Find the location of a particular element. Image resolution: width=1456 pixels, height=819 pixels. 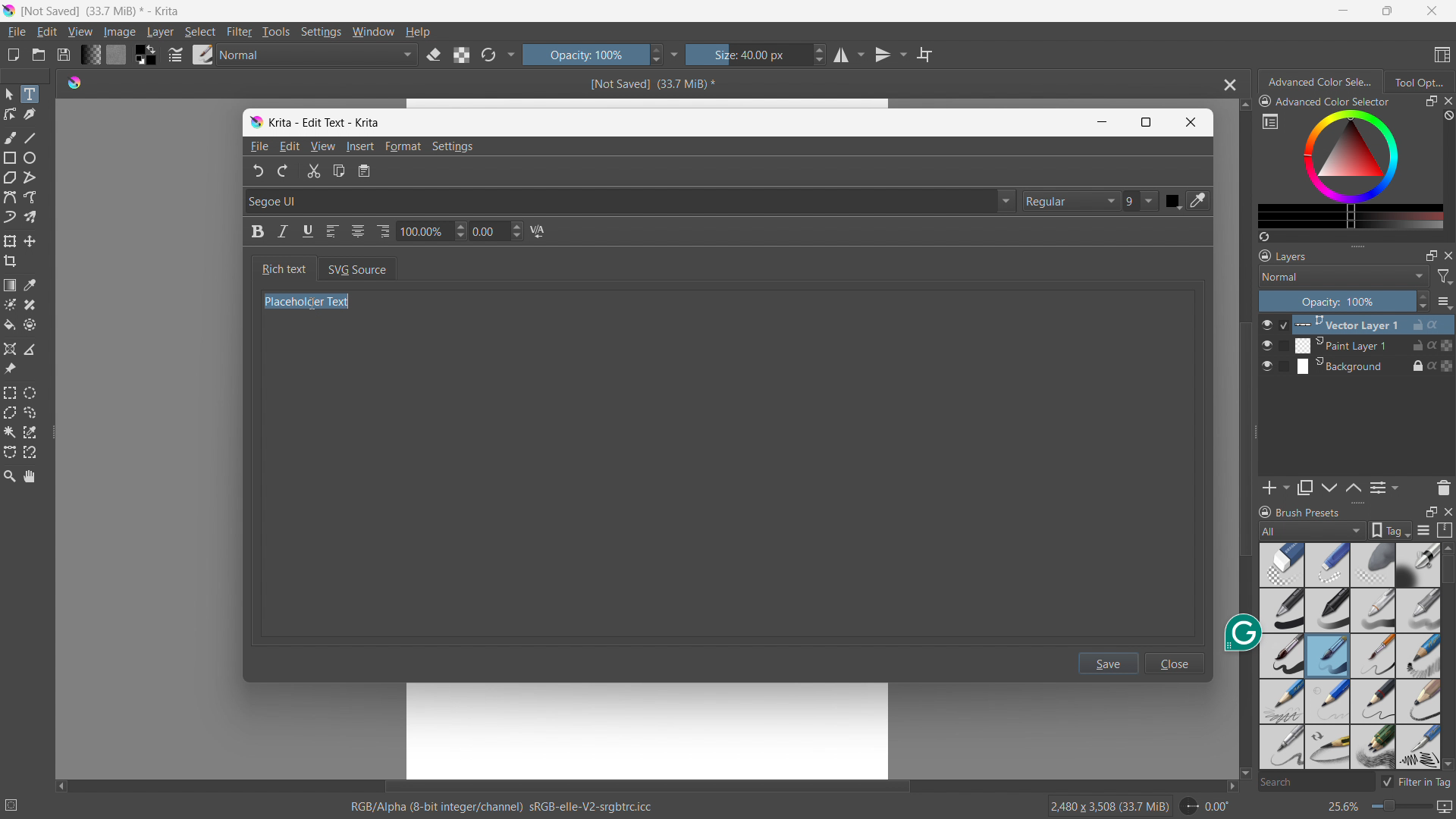

save is located at coordinates (63, 55).